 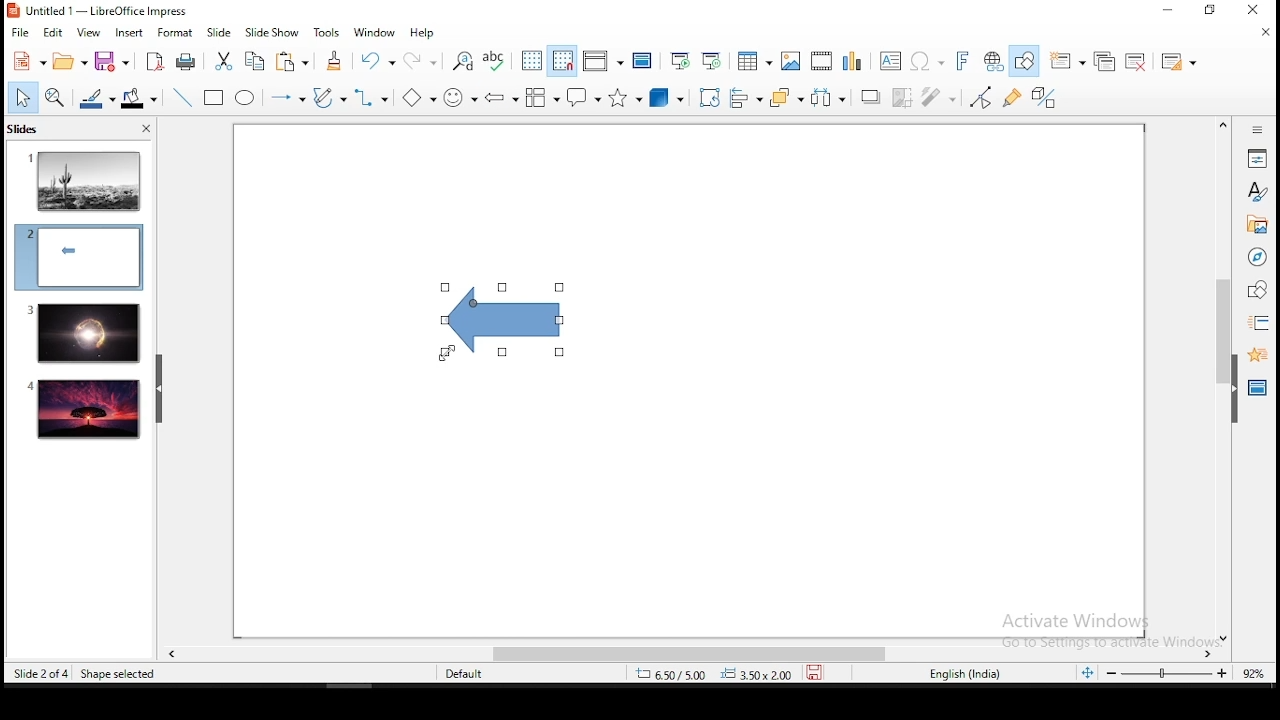 I want to click on close, so click(x=144, y=131).